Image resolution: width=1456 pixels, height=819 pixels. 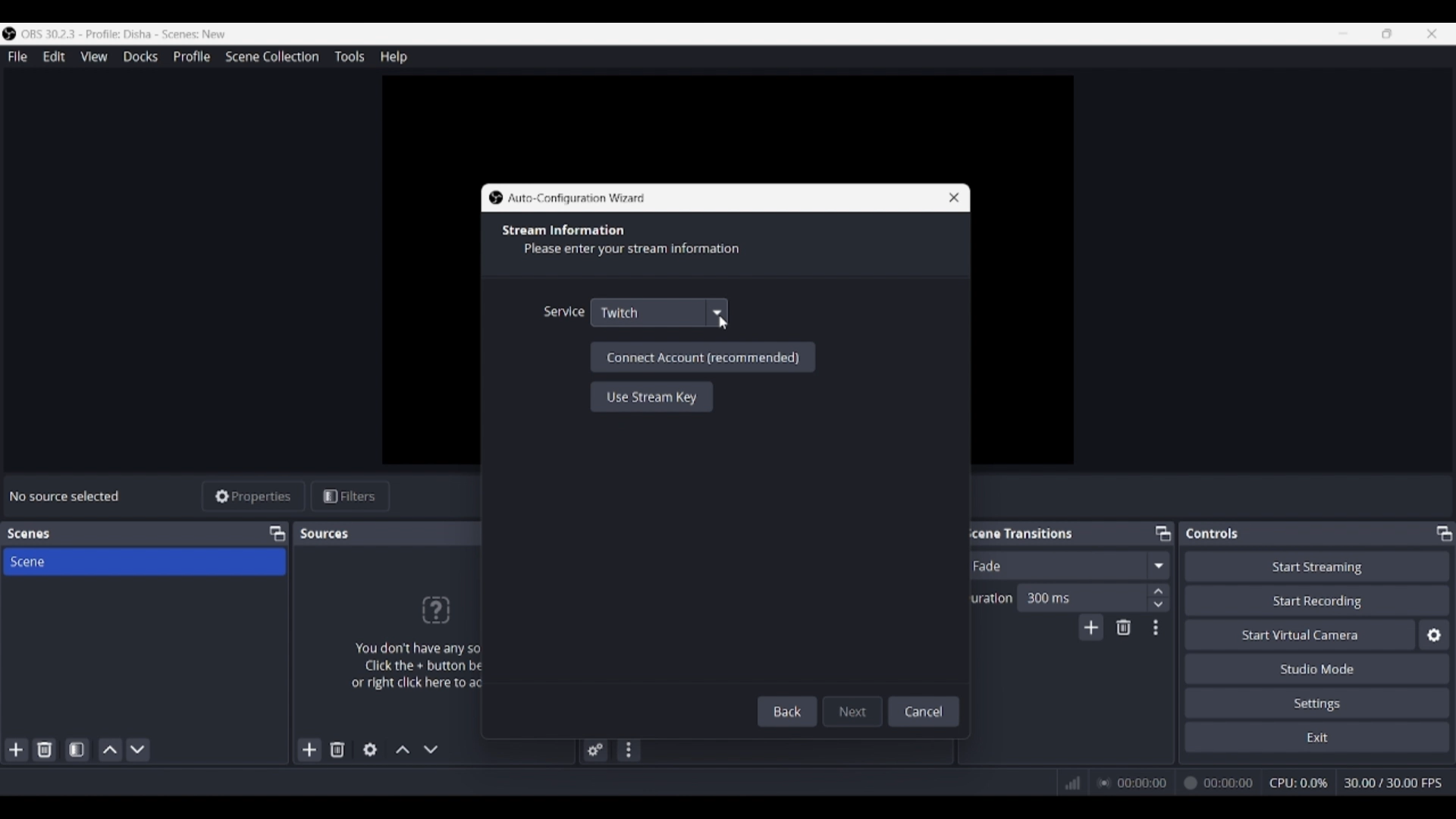 I want to click on Recording duration, so click(x=1175, y=783).